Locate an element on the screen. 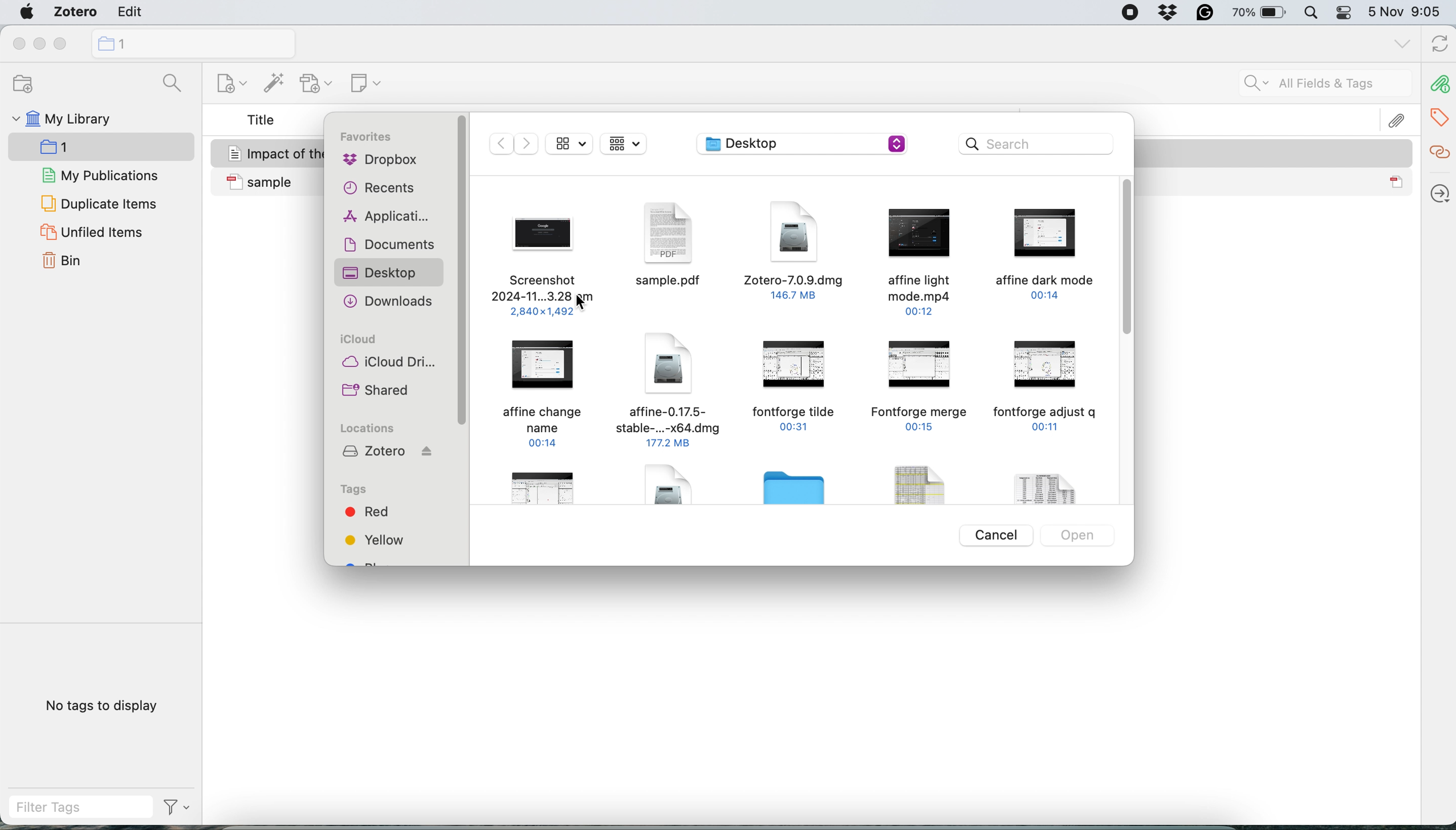 The height and width of the screenshot is (830, 1456). fontforge merge is located at coordinates (921, 384).